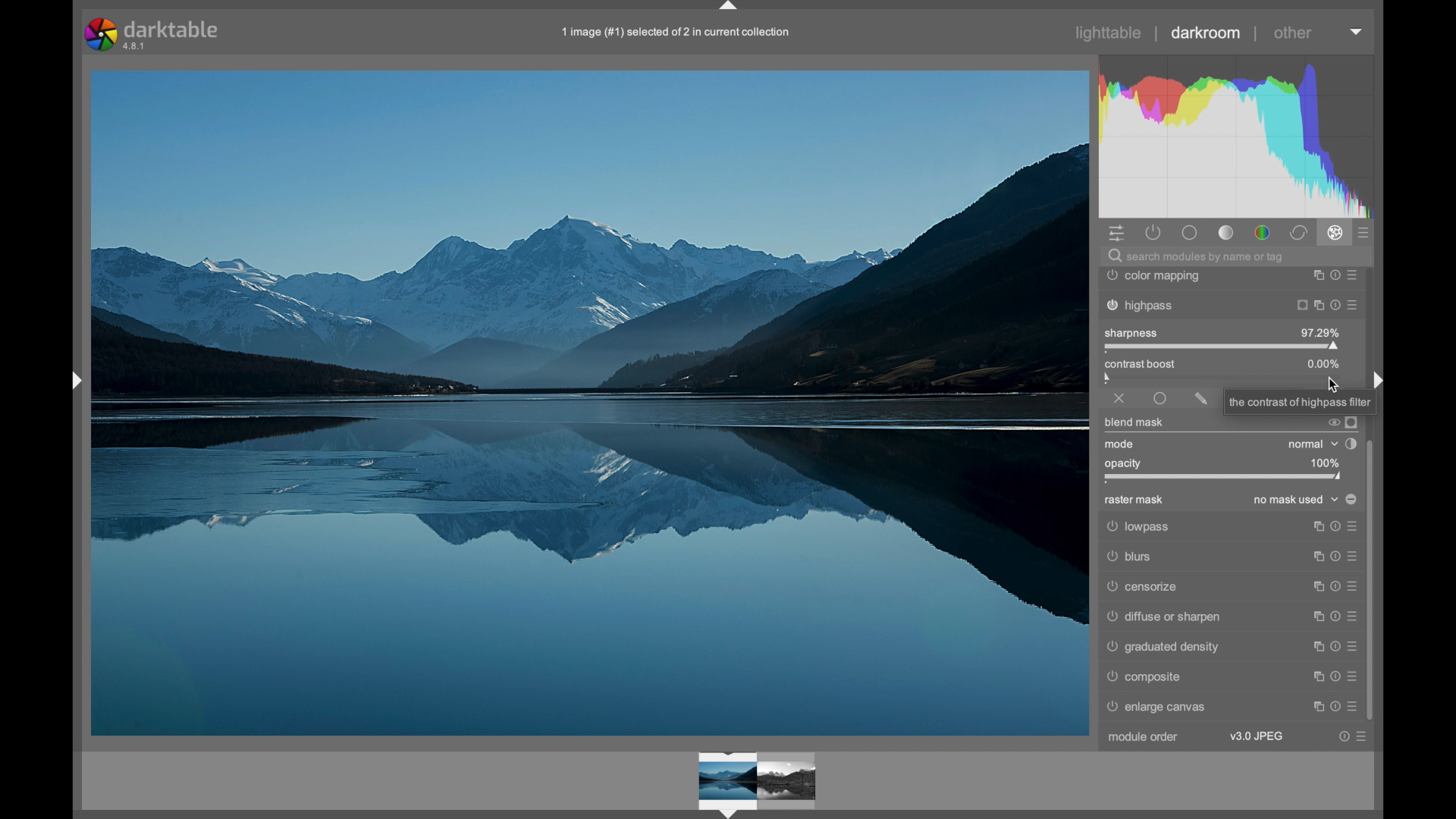 This screenshot has width=1456, height=819. Describe the element at coordinates (1332, 424) in the screenshot. I see `switch off blend mask` at that location.